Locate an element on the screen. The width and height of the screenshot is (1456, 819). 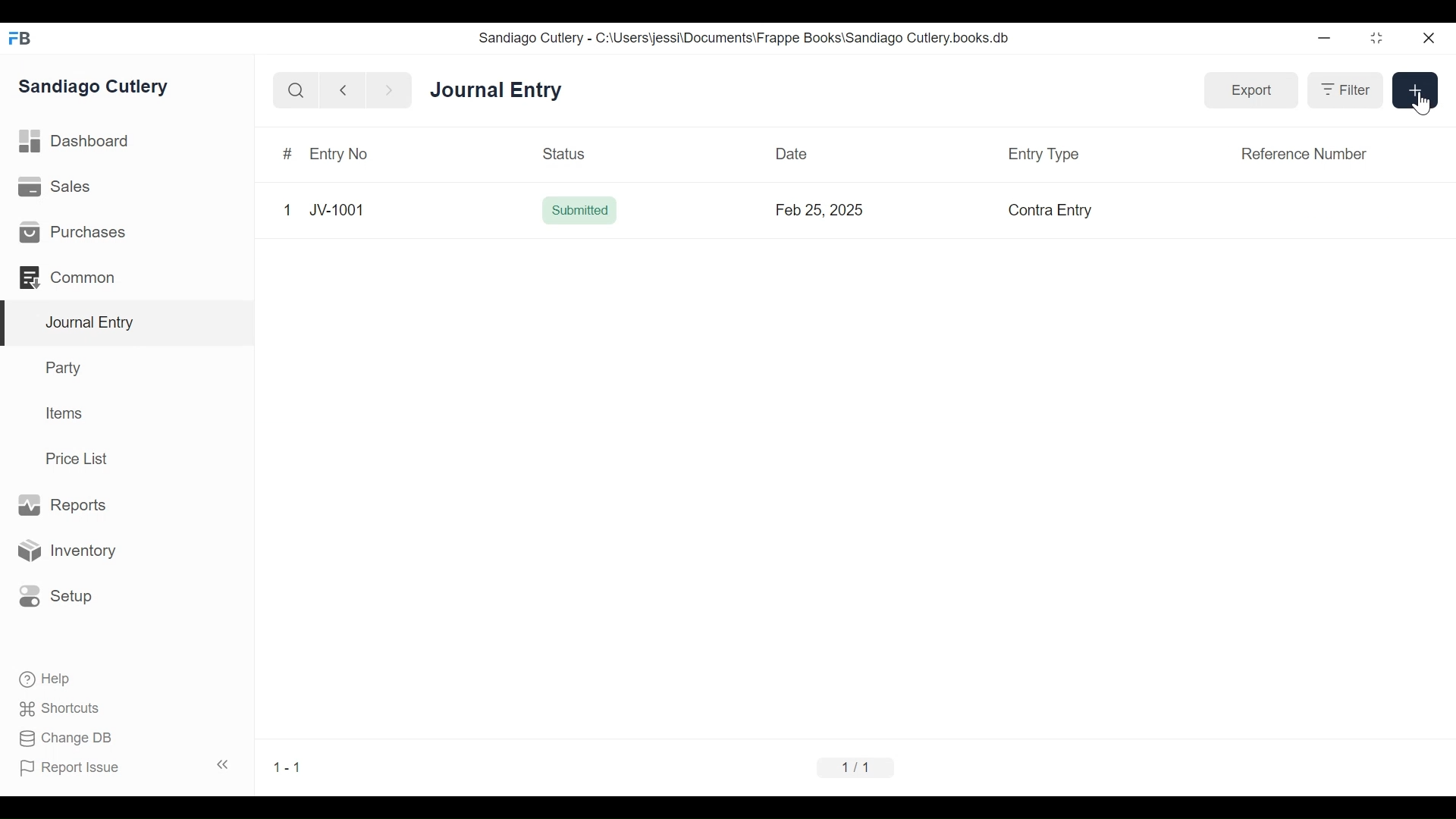
Entry No is located at coordinates (337, 155).